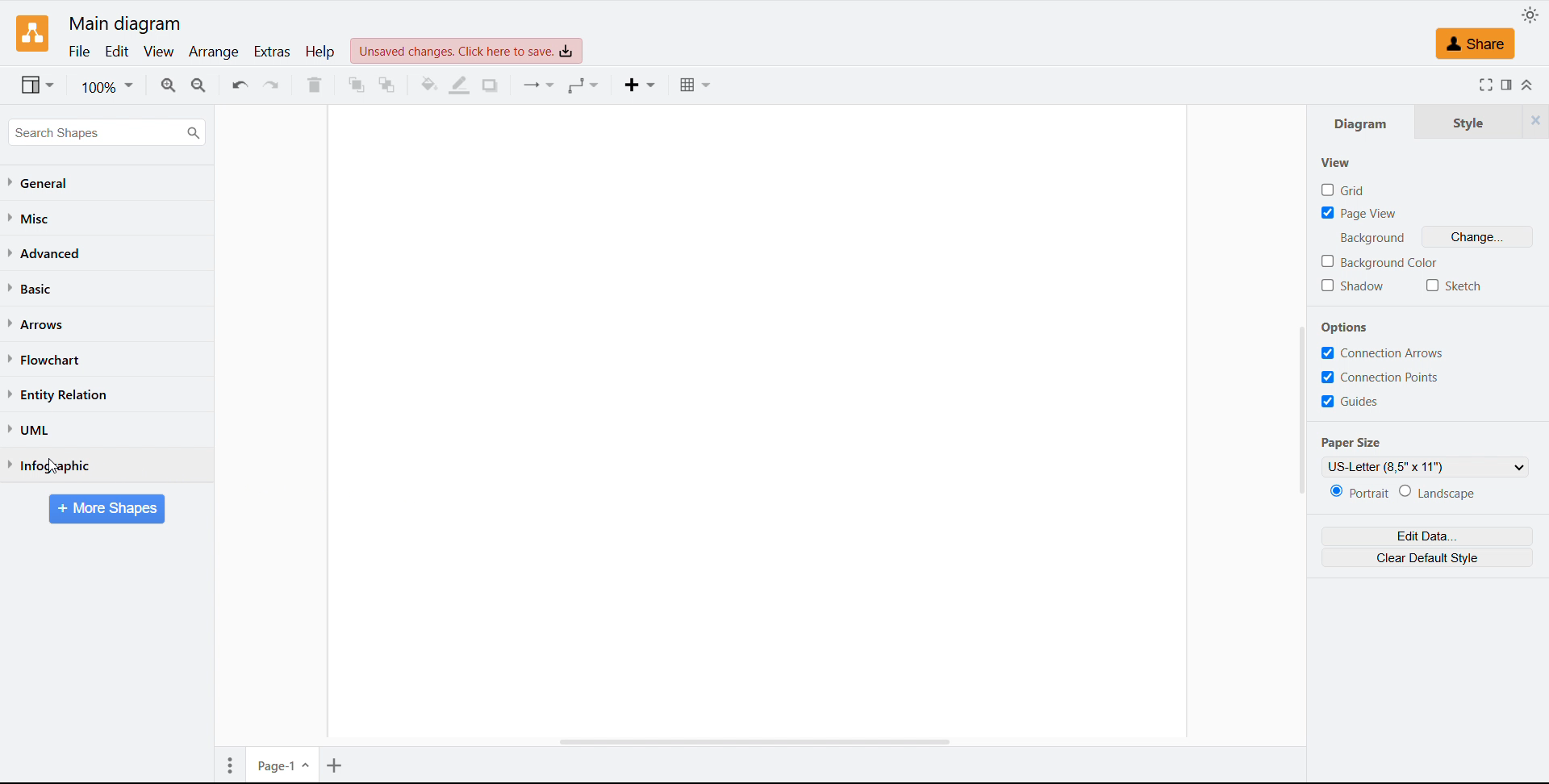  I want to click on connection points , so click(1380, 377).